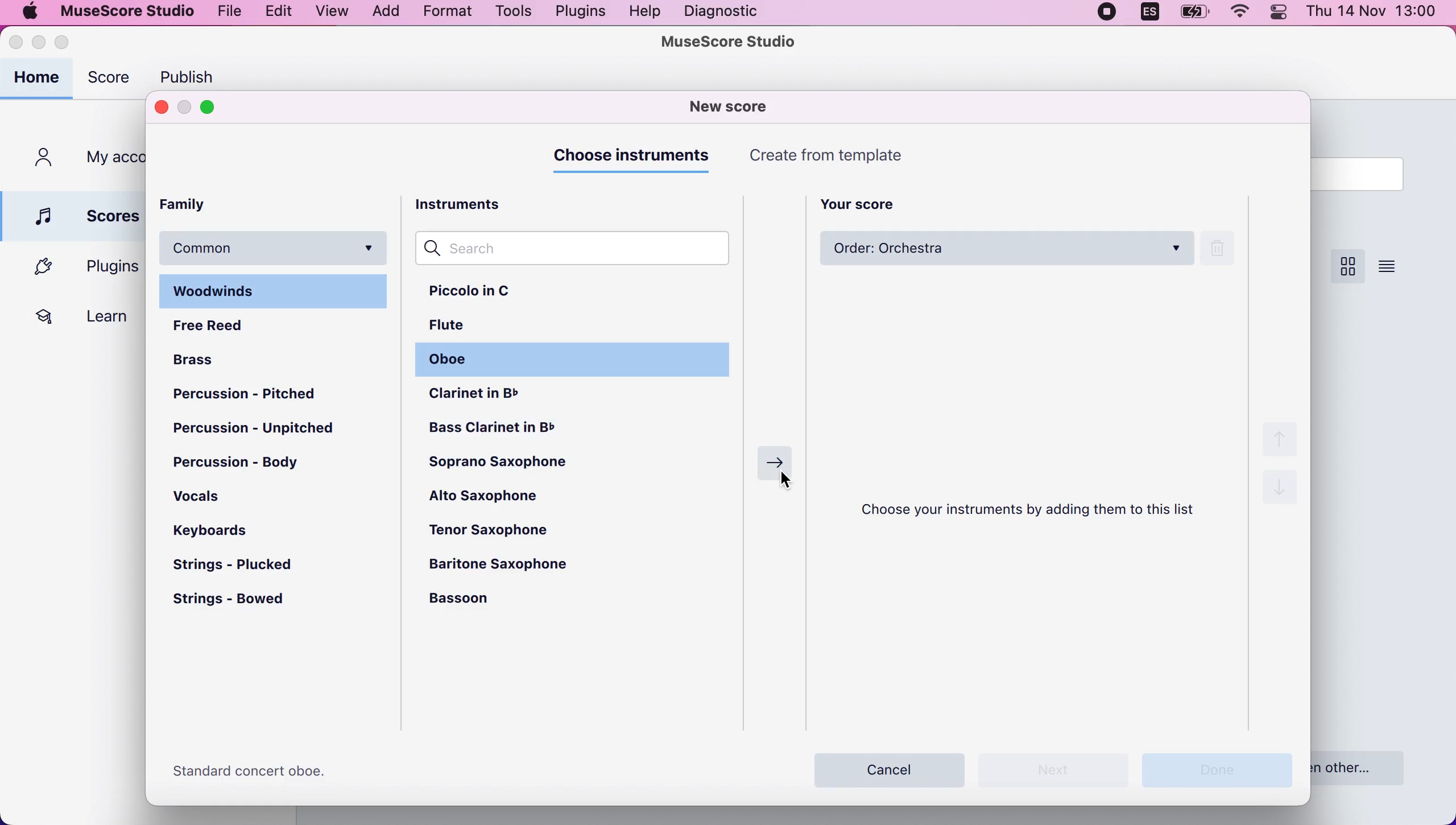 This screenshot has width=1456, height=825. What do you see at coordinates (229, 11) in the screenshot?
I see `file` at bounding box center [229, 11].